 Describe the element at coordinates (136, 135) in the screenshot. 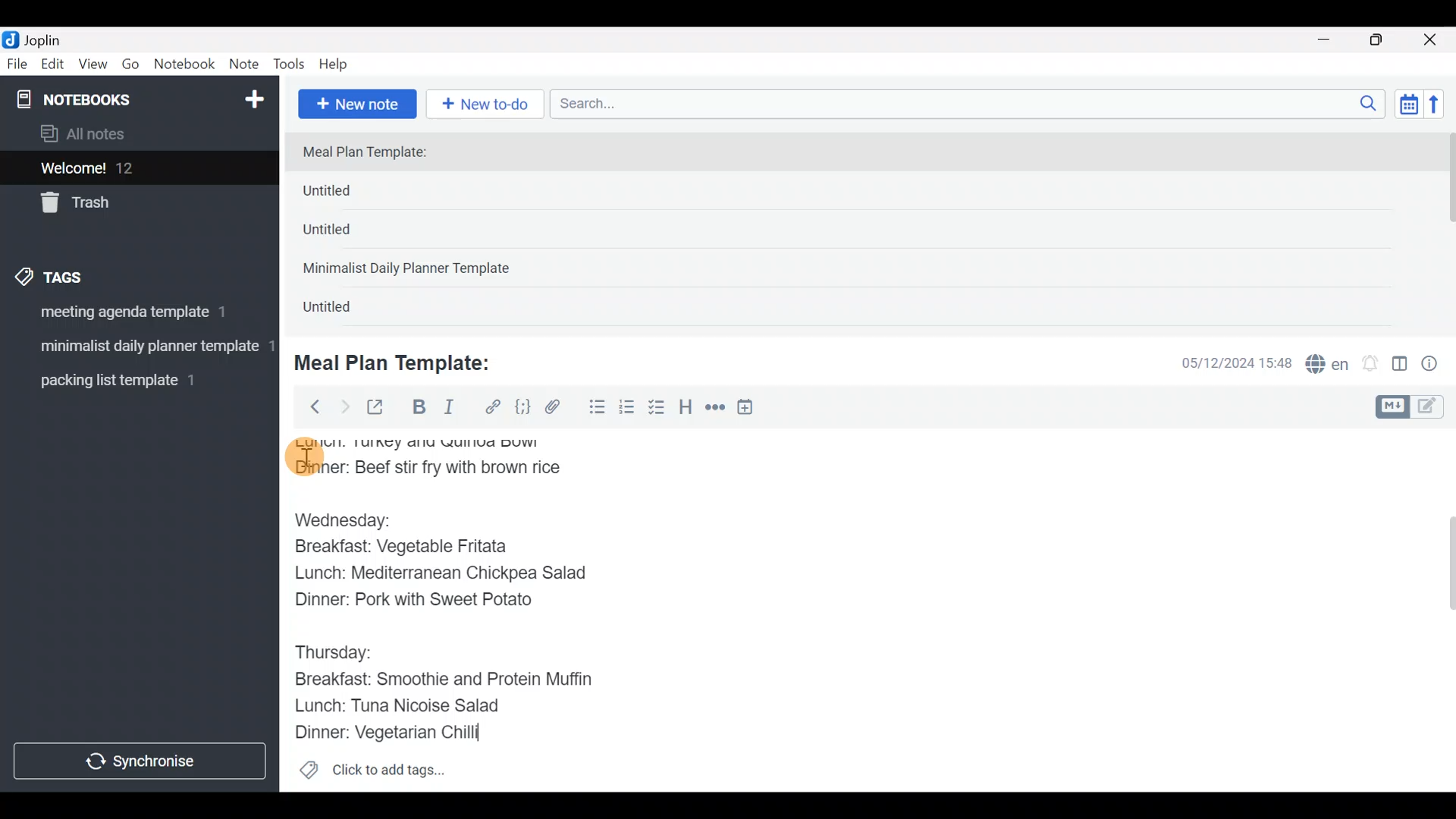

I see `All notes` at that location.